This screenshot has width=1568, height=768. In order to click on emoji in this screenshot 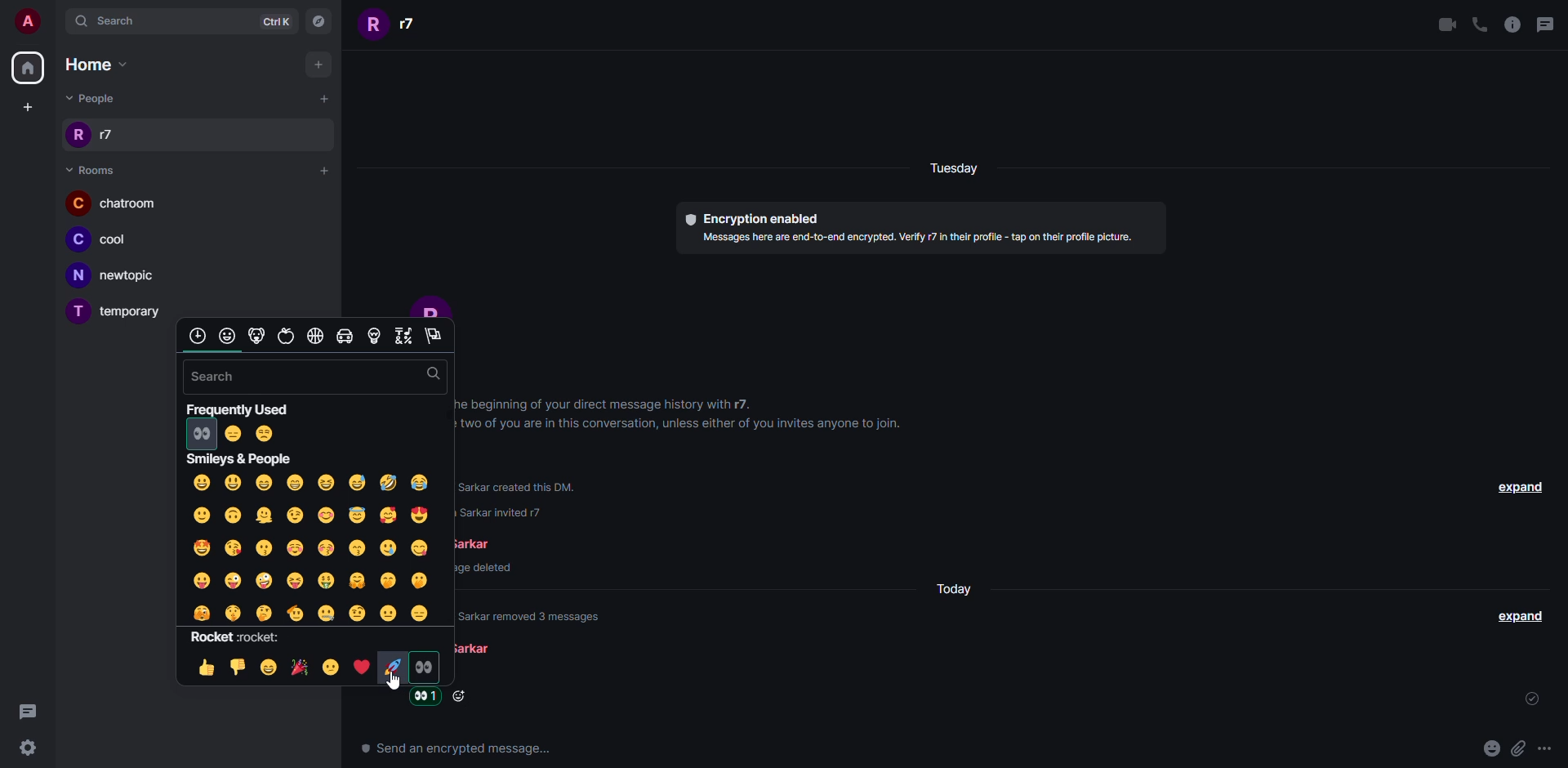, I will do `click(394, 666)`.